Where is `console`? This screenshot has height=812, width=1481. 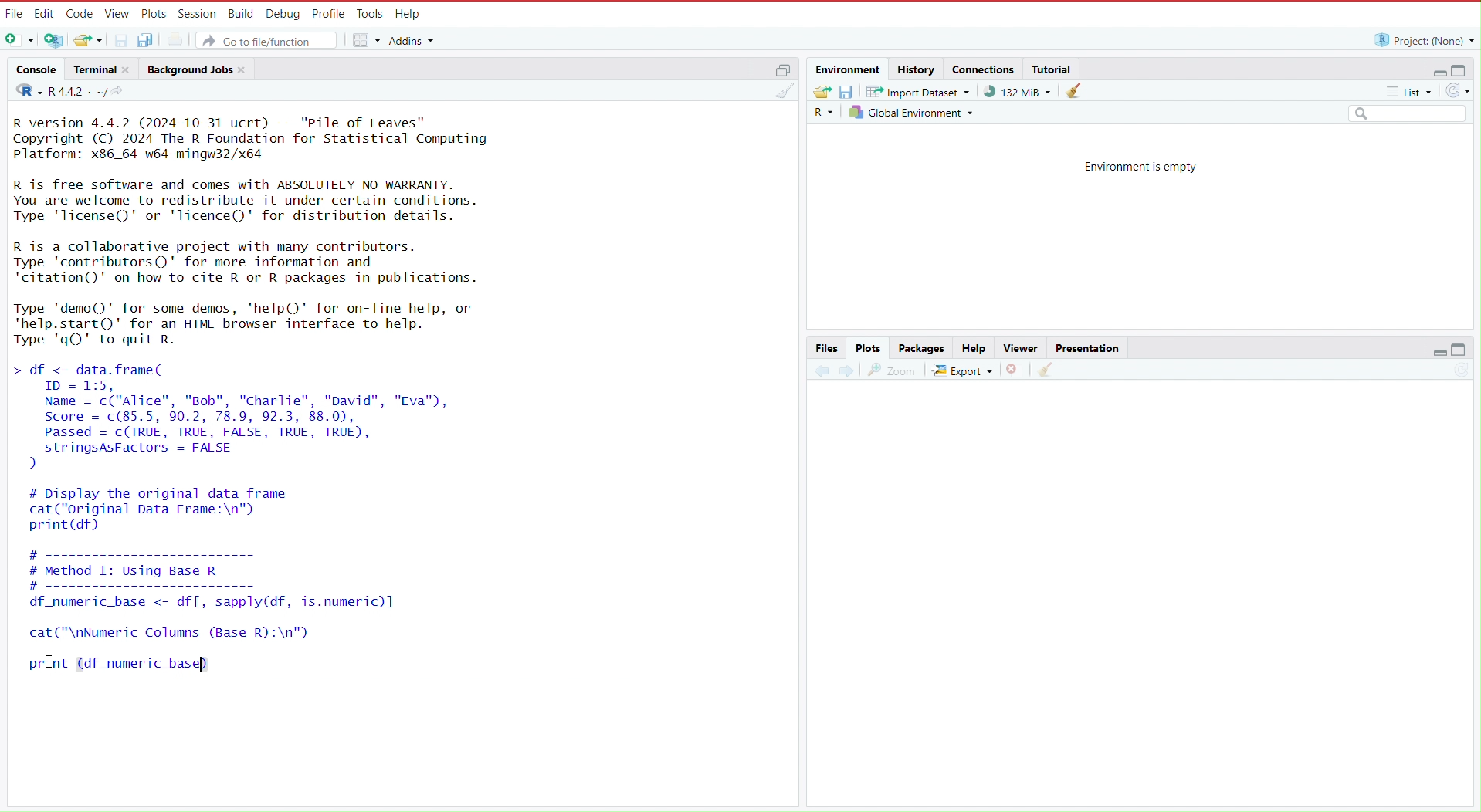 console is located at coordinates (32, 67).